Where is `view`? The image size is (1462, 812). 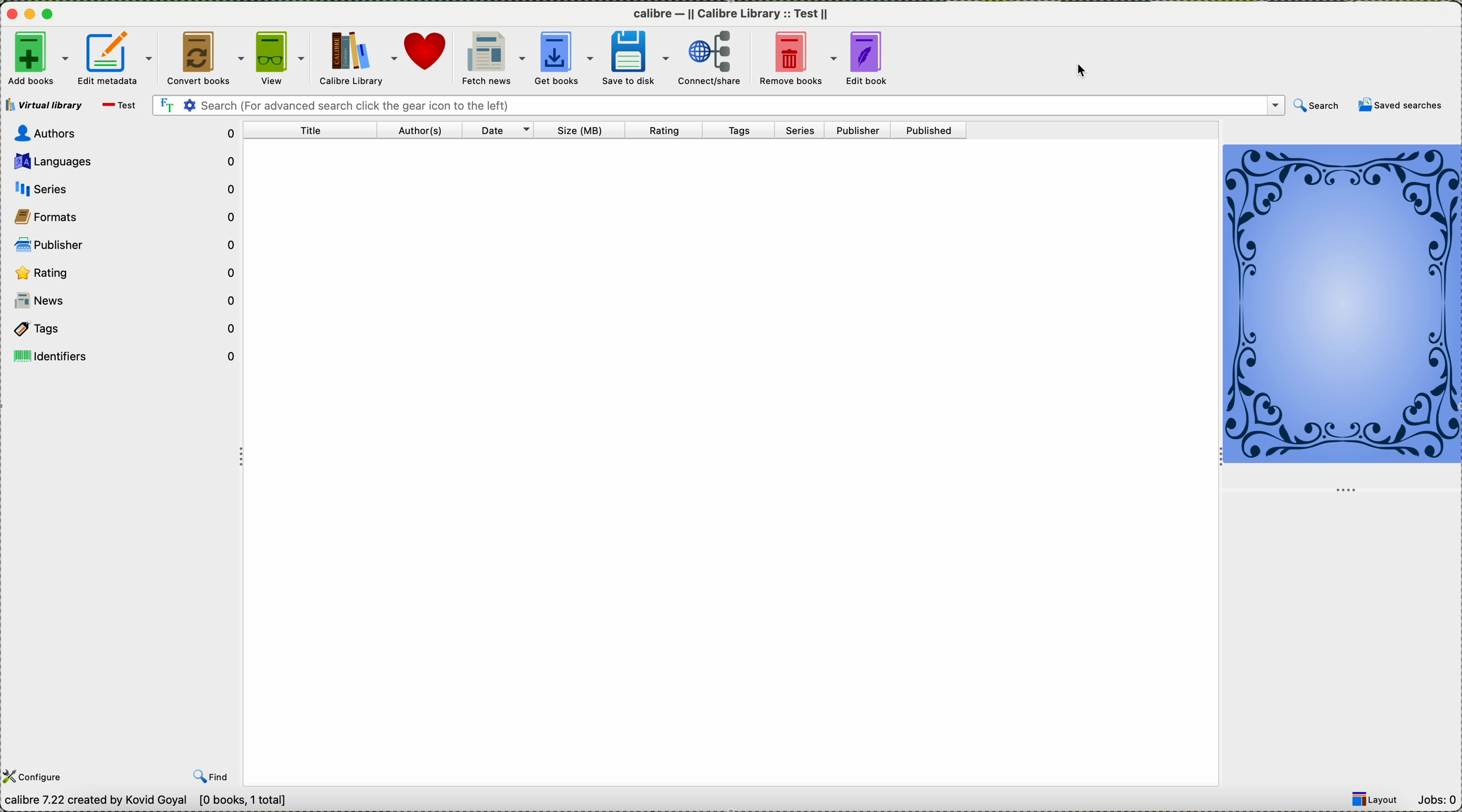 view is located at coordinates (282, 59).